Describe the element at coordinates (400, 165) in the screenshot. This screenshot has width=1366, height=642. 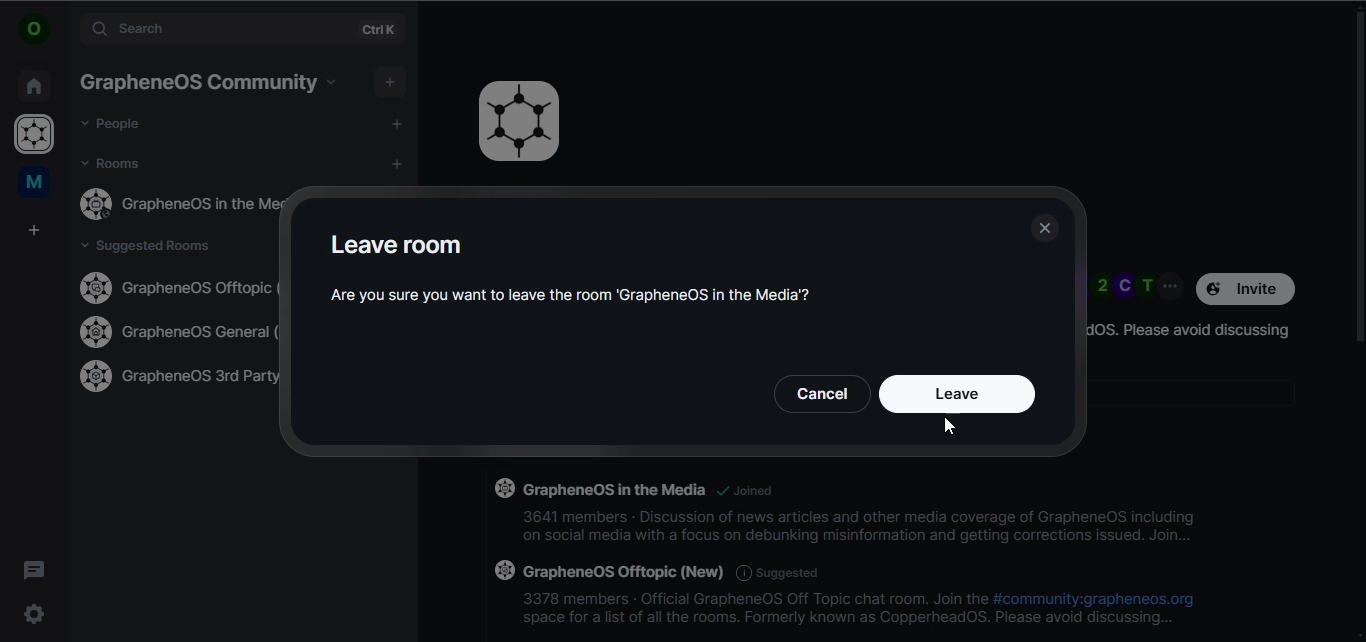
I see `add room` at that location.